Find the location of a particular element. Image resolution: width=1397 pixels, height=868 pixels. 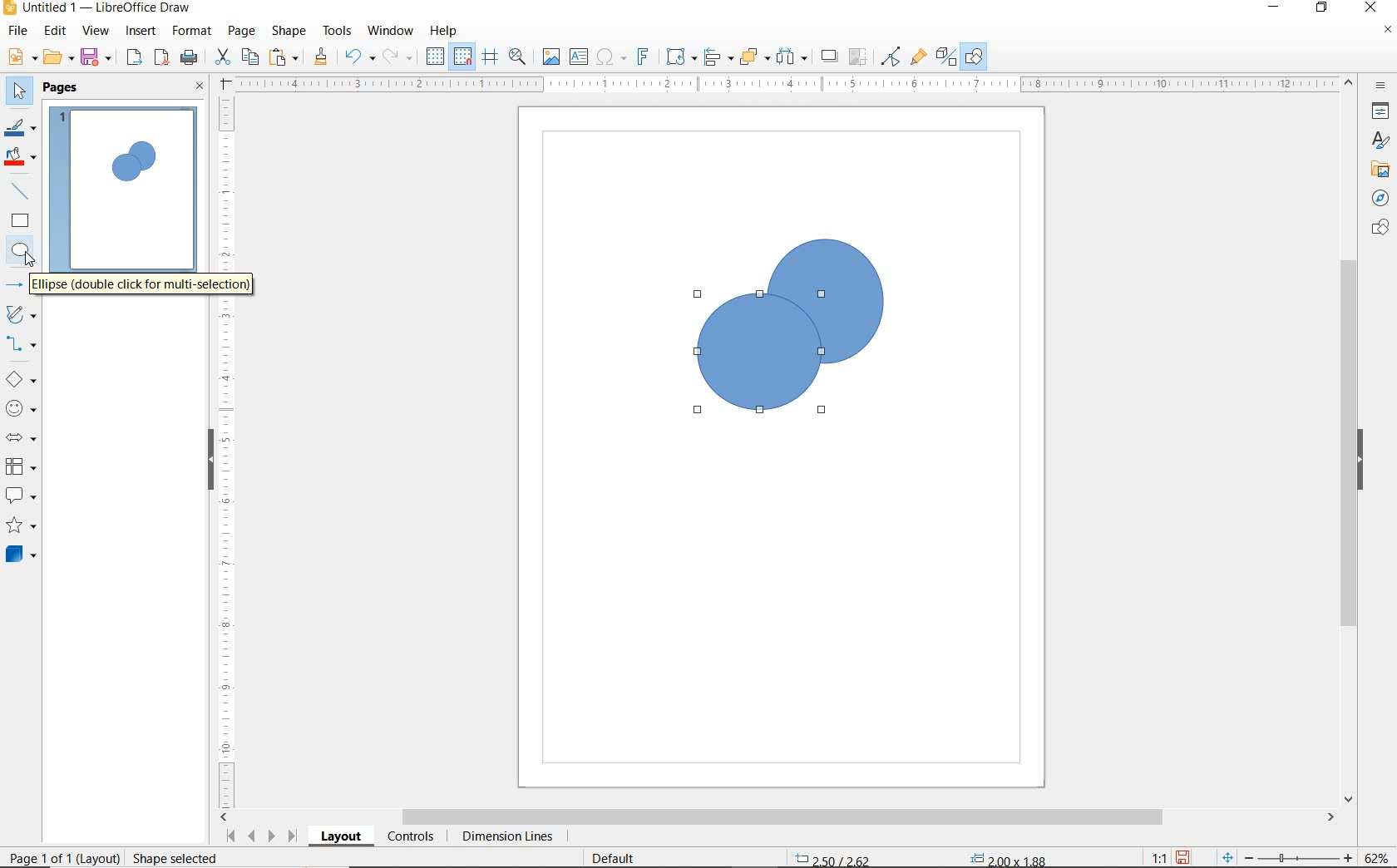

INSERT SPECIAL CHARACTERS is located at coordinates (609, 58).